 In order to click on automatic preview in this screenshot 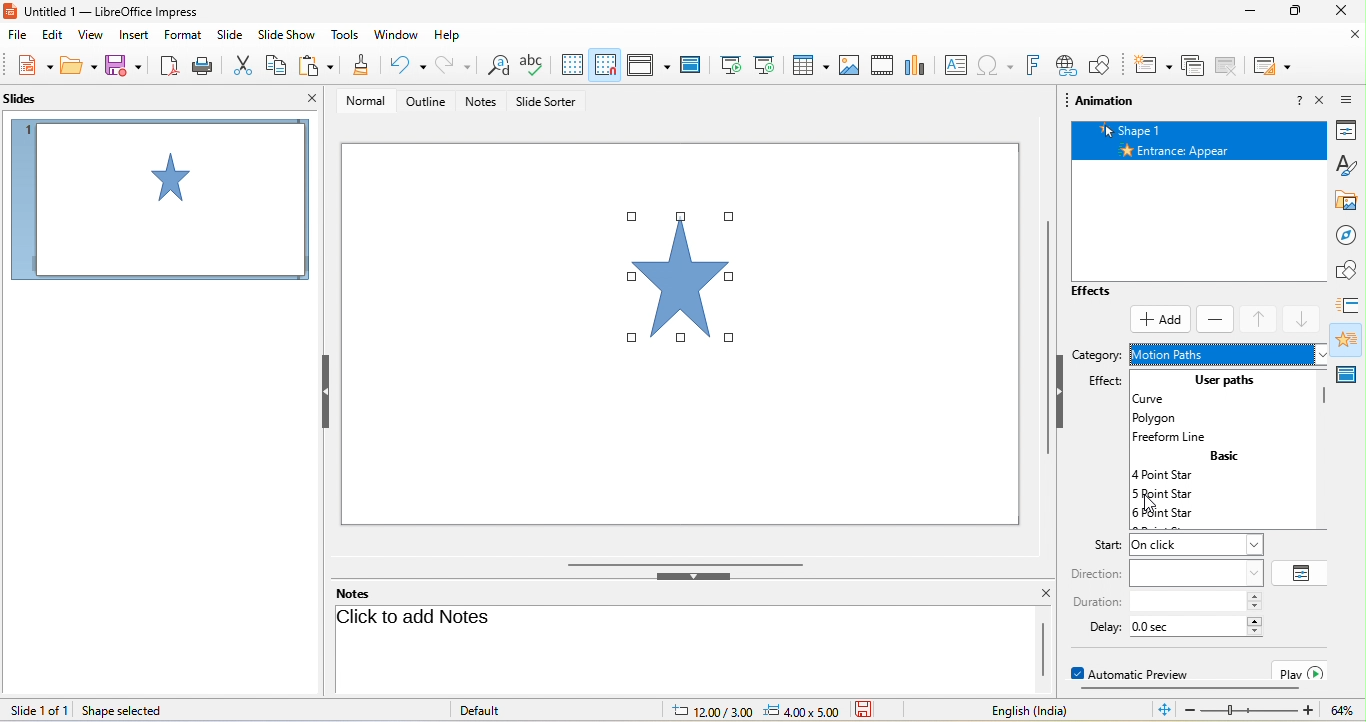, I will do `click(1135, 673)`.